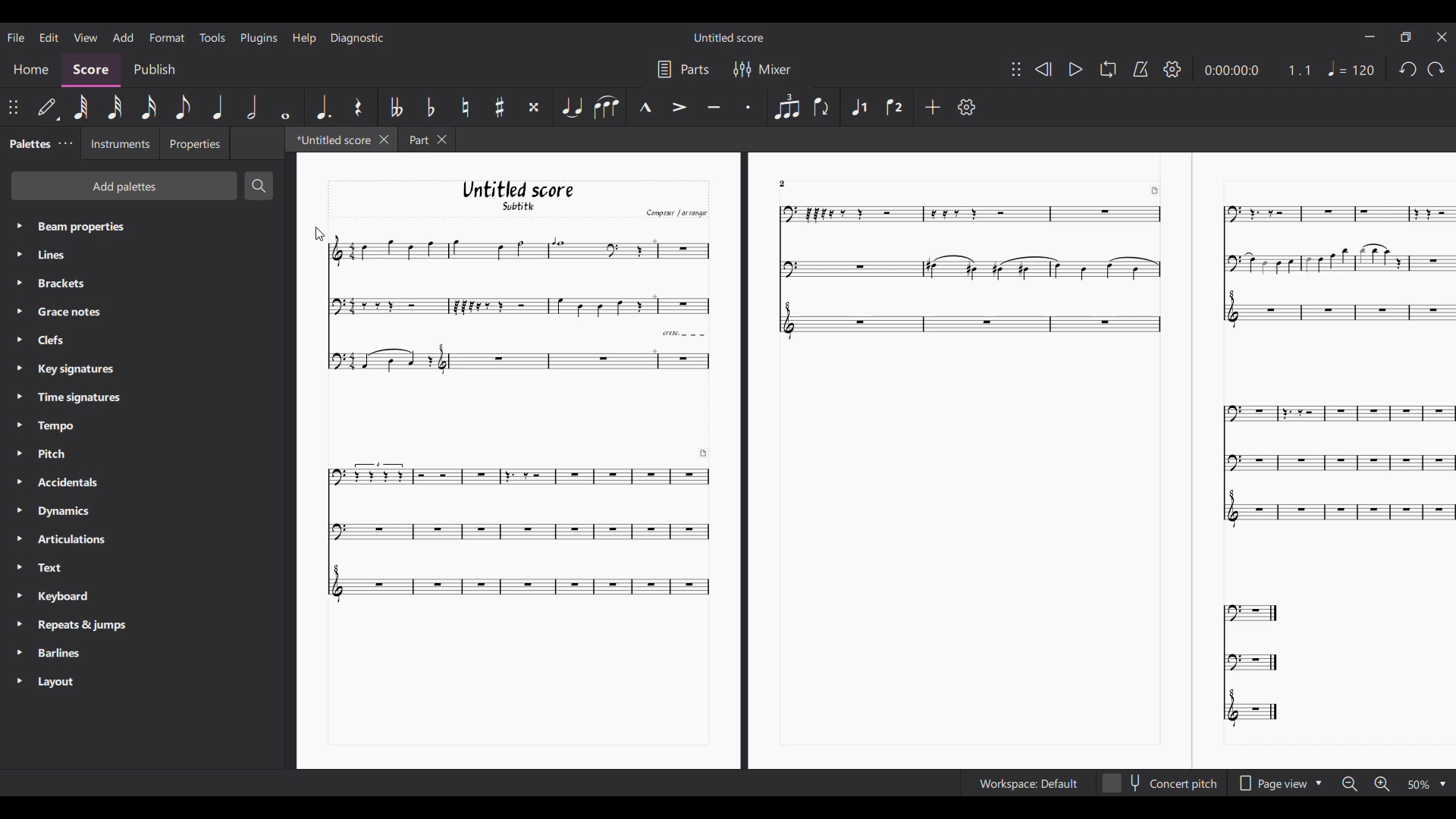 Image resolution: width=1456 pixels, height=819 pixels. What do you see at coordinates (775, 69) in the screenshot?
I see `Mixer settings` at bounding box center [775, 69].